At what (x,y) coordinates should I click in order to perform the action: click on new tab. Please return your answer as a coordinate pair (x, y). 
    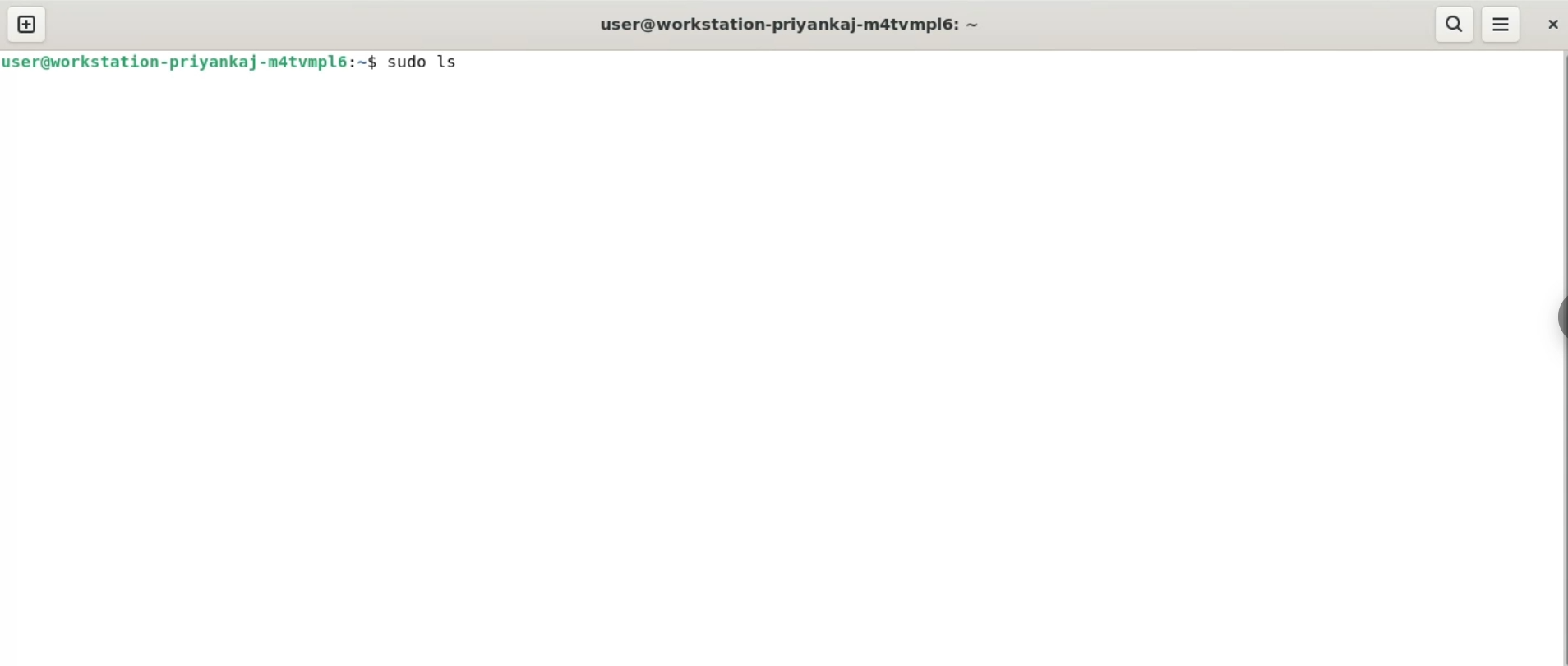
    Looking at the image, I should click on (28, 23).